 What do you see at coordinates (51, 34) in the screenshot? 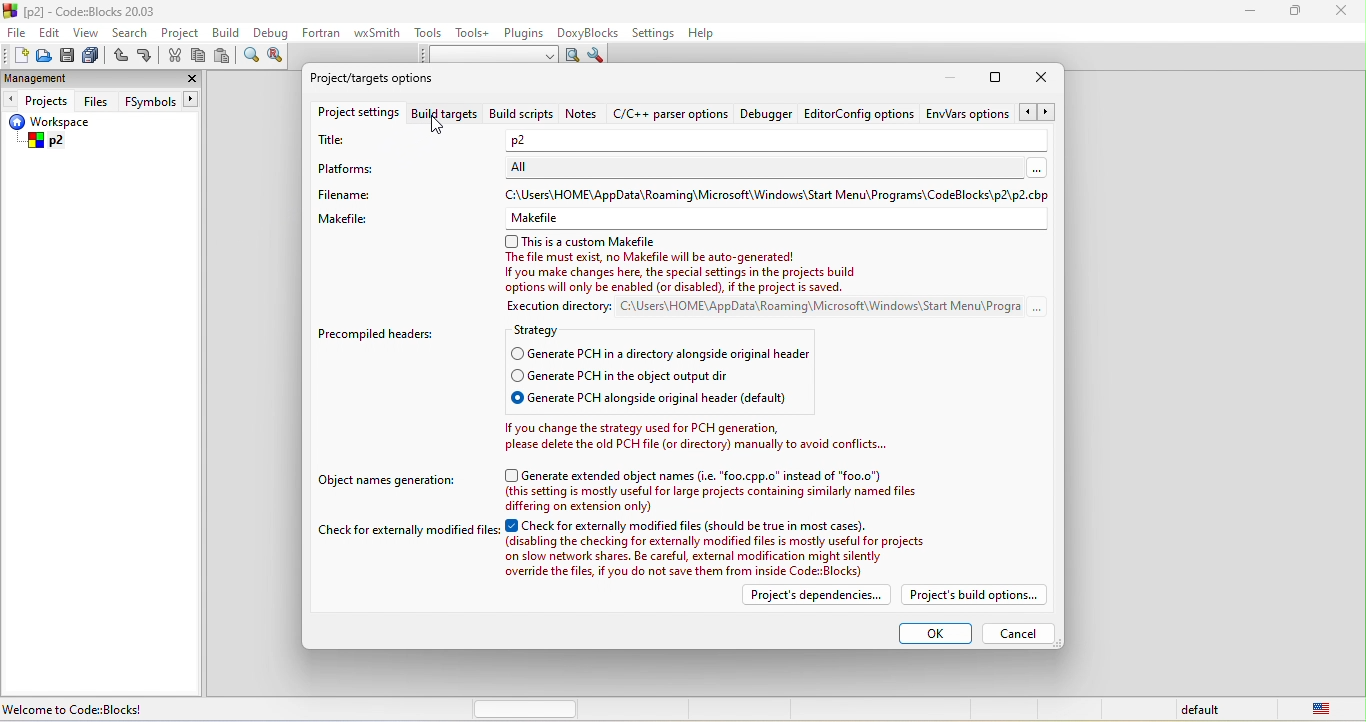
I see `edit` at bounding box center [51, 34].